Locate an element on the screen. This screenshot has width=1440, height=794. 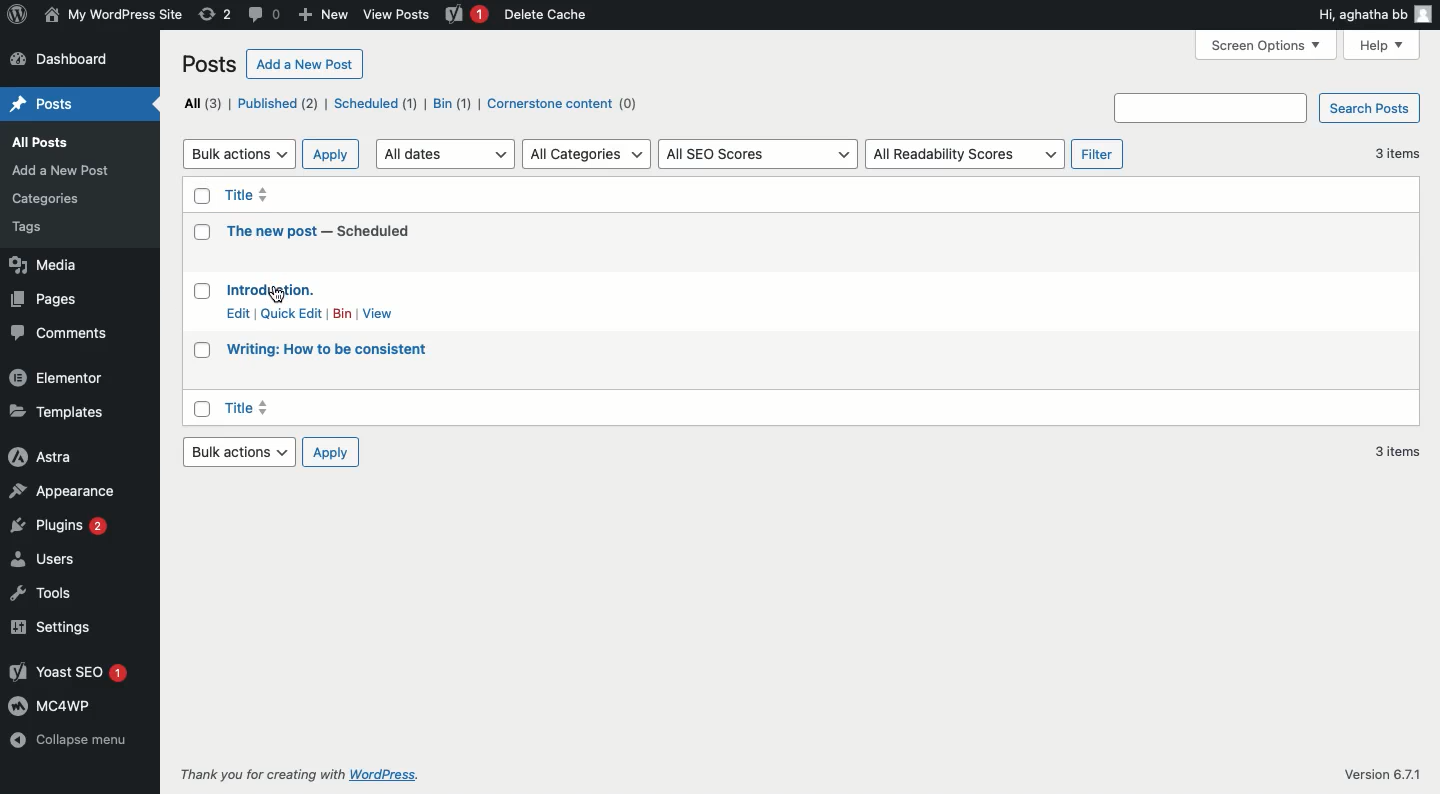
Help is located at coordinates (1381, 47).